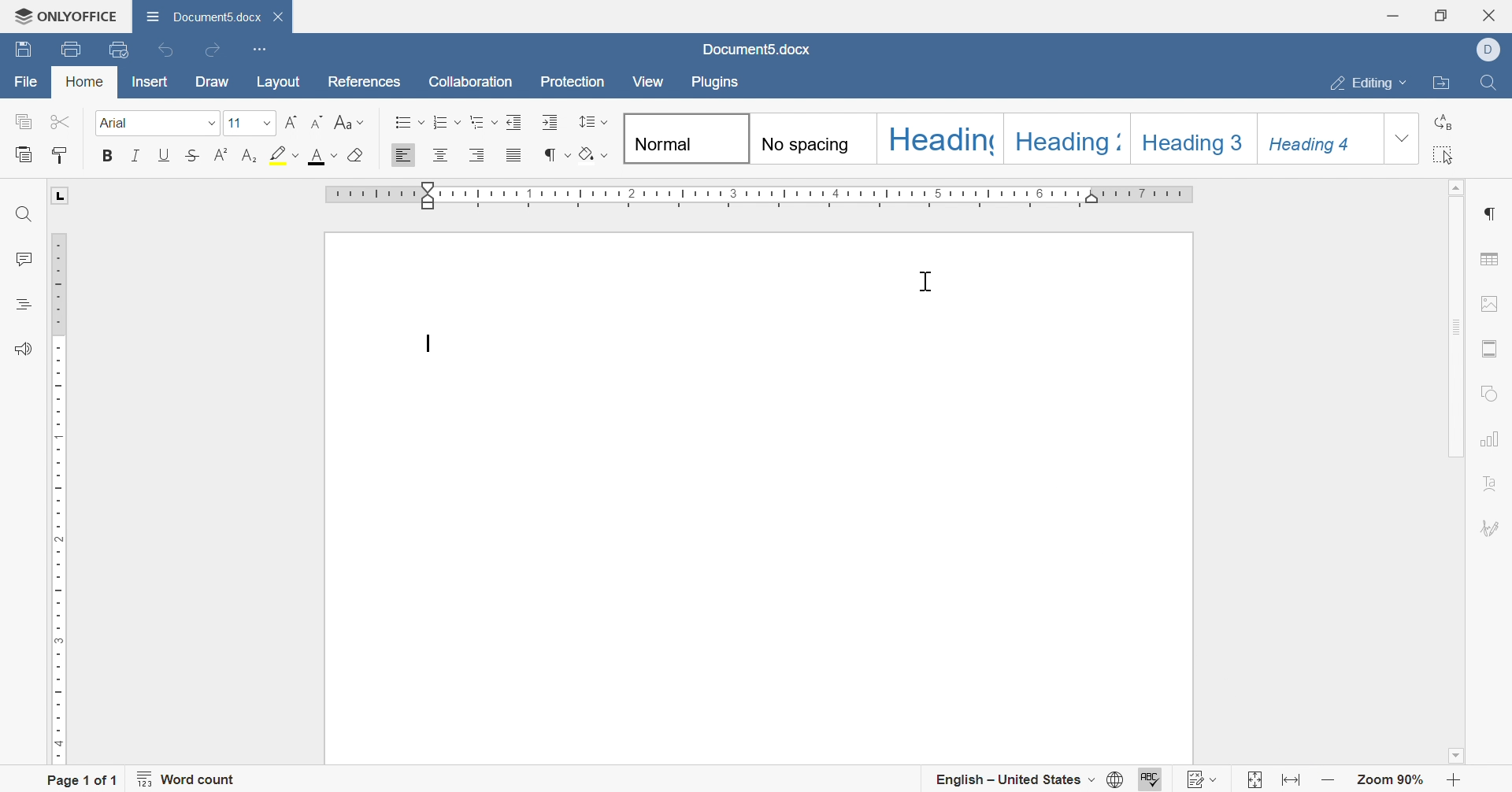 This screenshot has width=1512, height=792. What do you see at coordinates (574, 83) in the screenshot?
I see `protection` at bounding box center [574, 83].